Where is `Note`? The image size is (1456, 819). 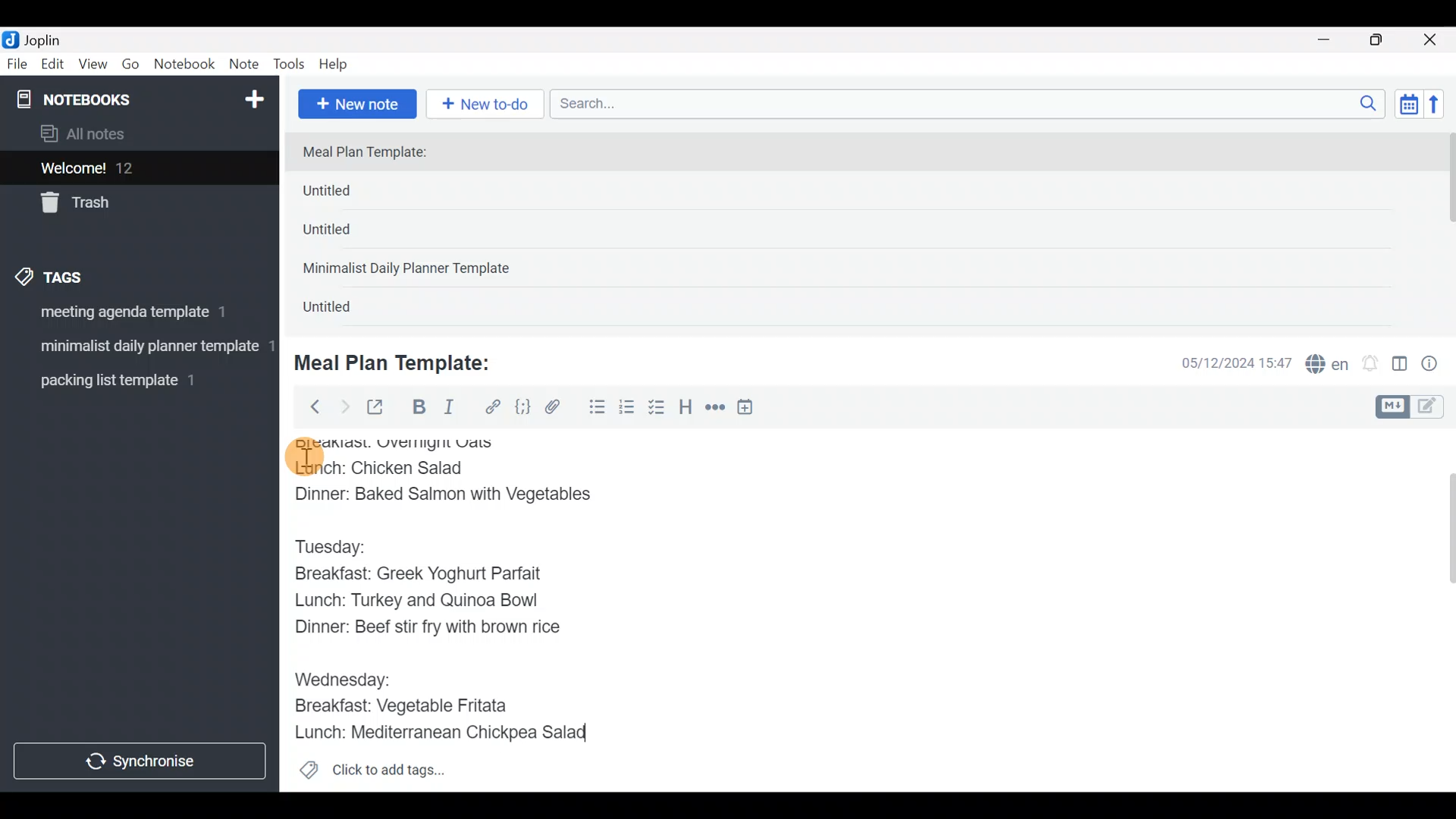
Note is located at coordinates (247, 65).